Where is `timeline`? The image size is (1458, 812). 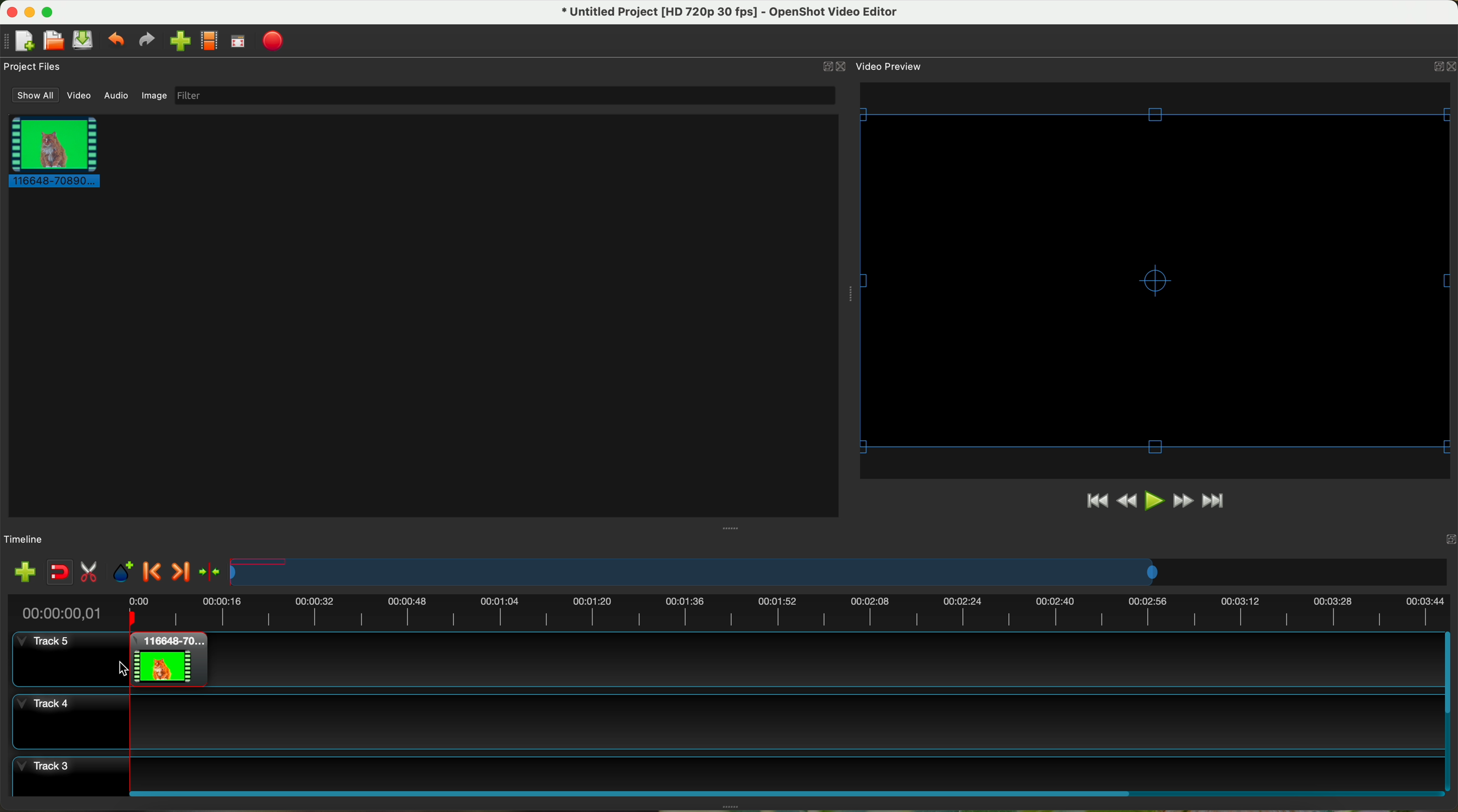 timeline is located at coordinates (24, 540).